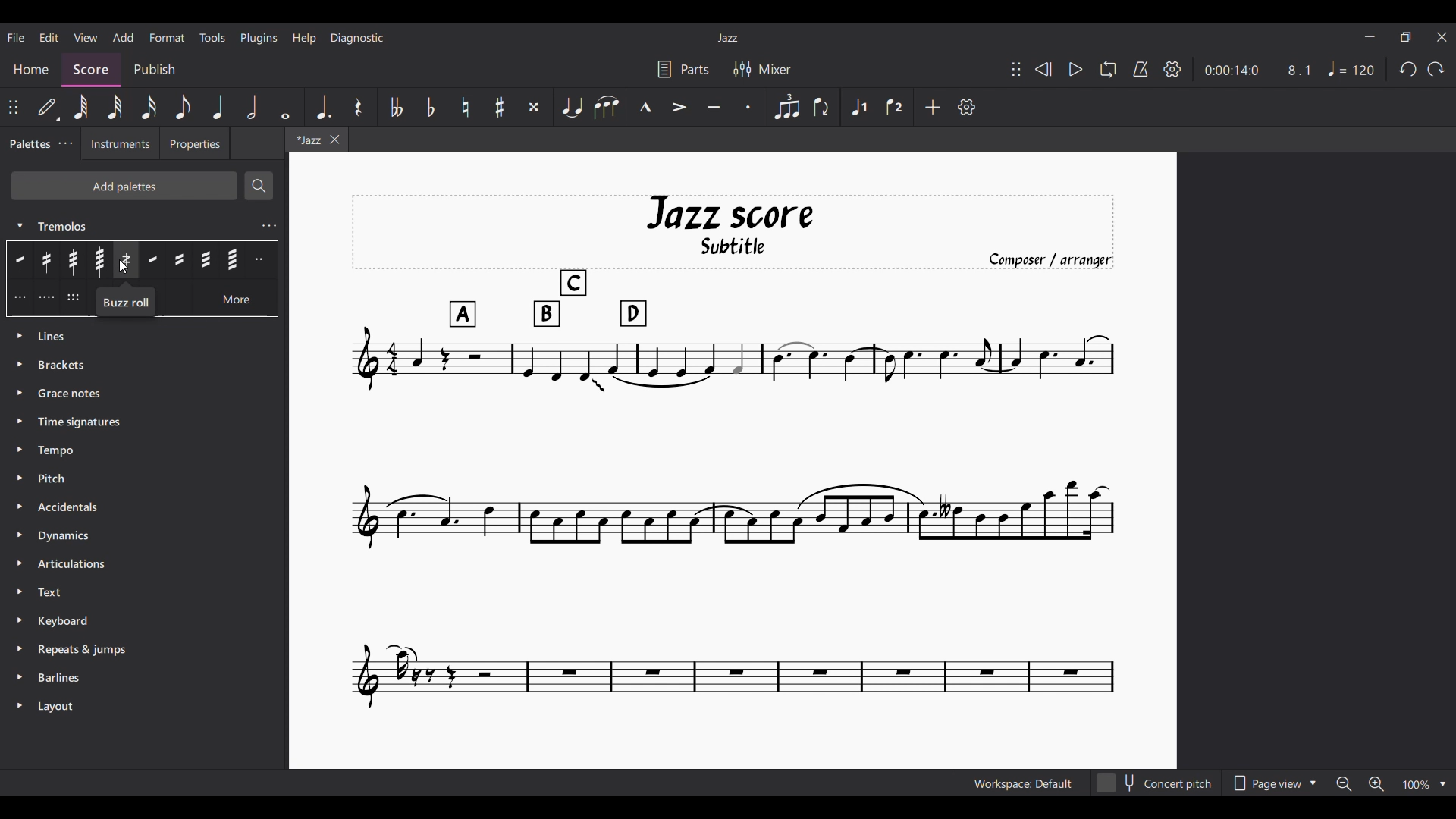 This screenshot has width=1456, height=819. What do you see at coordinates (195, 143) in the screenshot?
I see `Properties ` at bounding box center [195, 143].